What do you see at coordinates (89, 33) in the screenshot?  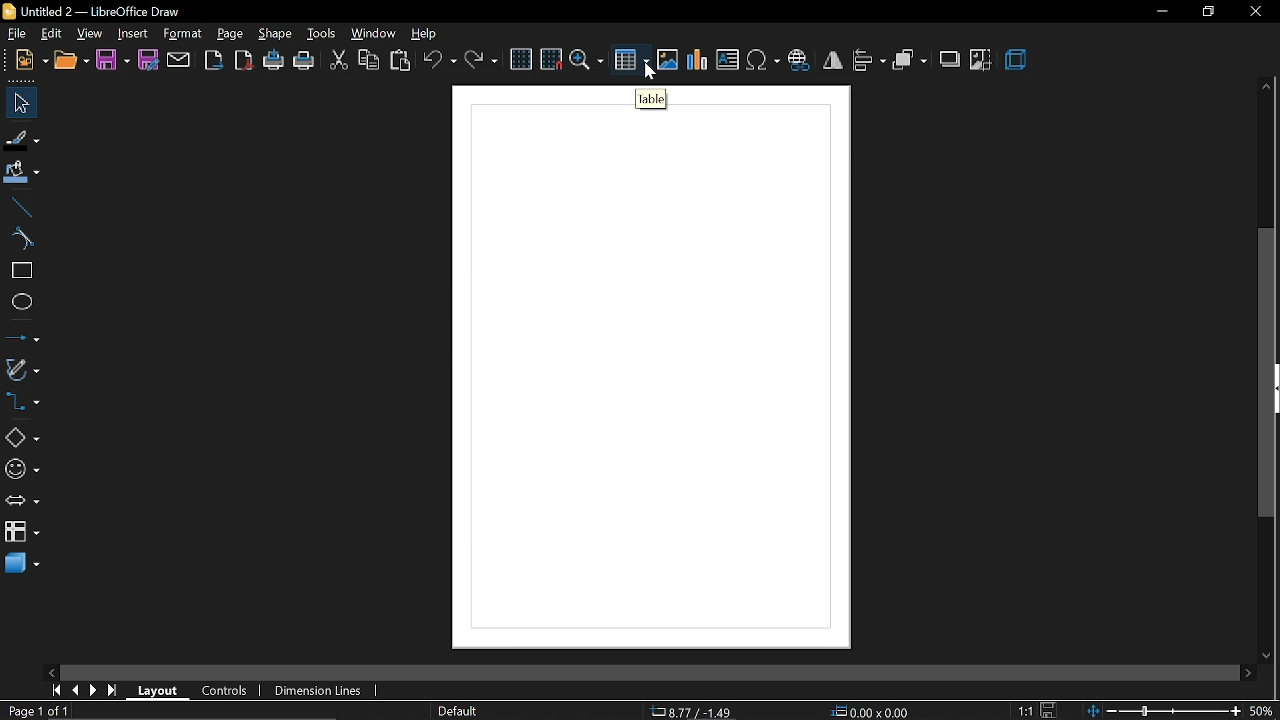 I see `view` at bounding box center [89, 33].